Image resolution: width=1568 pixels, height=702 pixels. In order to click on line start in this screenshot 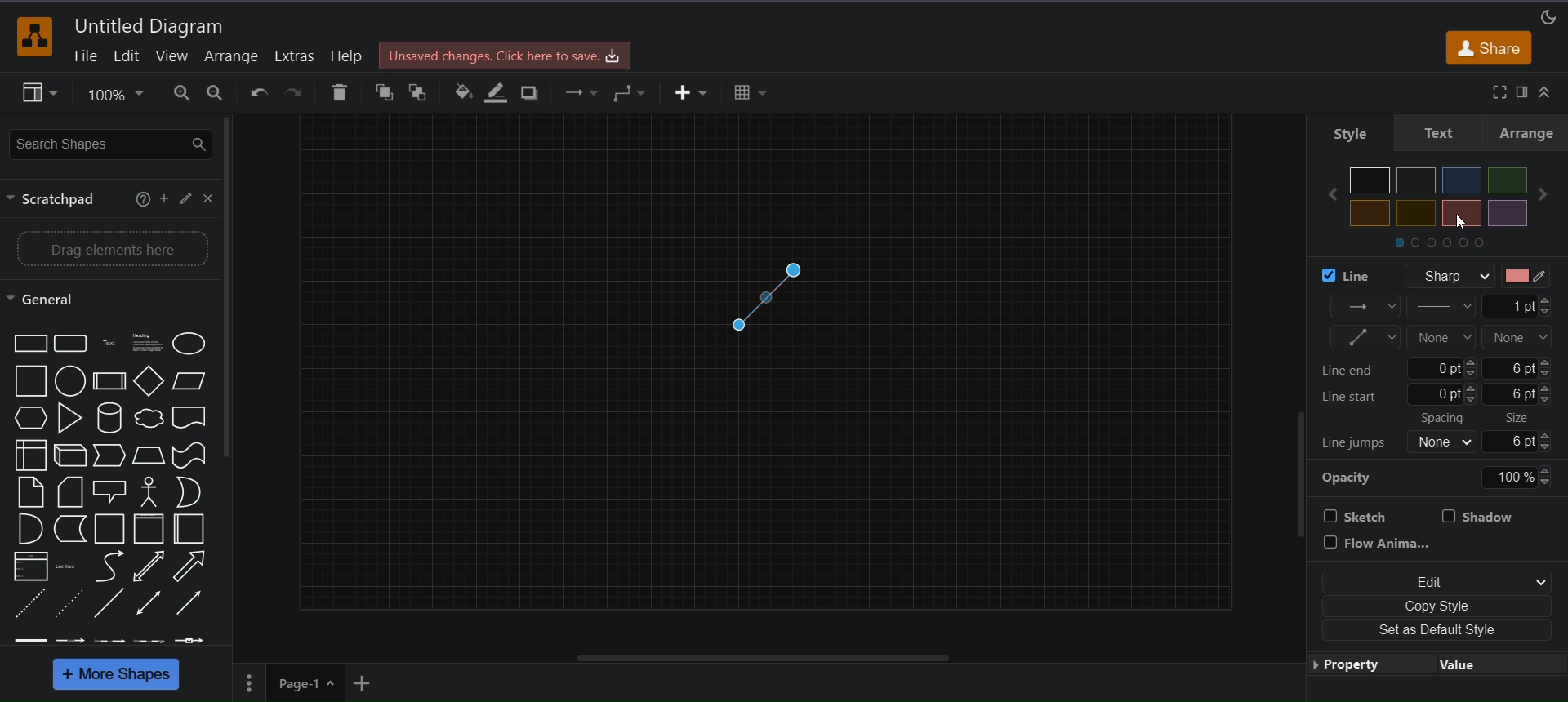, I will do `click(1441, 396)`.